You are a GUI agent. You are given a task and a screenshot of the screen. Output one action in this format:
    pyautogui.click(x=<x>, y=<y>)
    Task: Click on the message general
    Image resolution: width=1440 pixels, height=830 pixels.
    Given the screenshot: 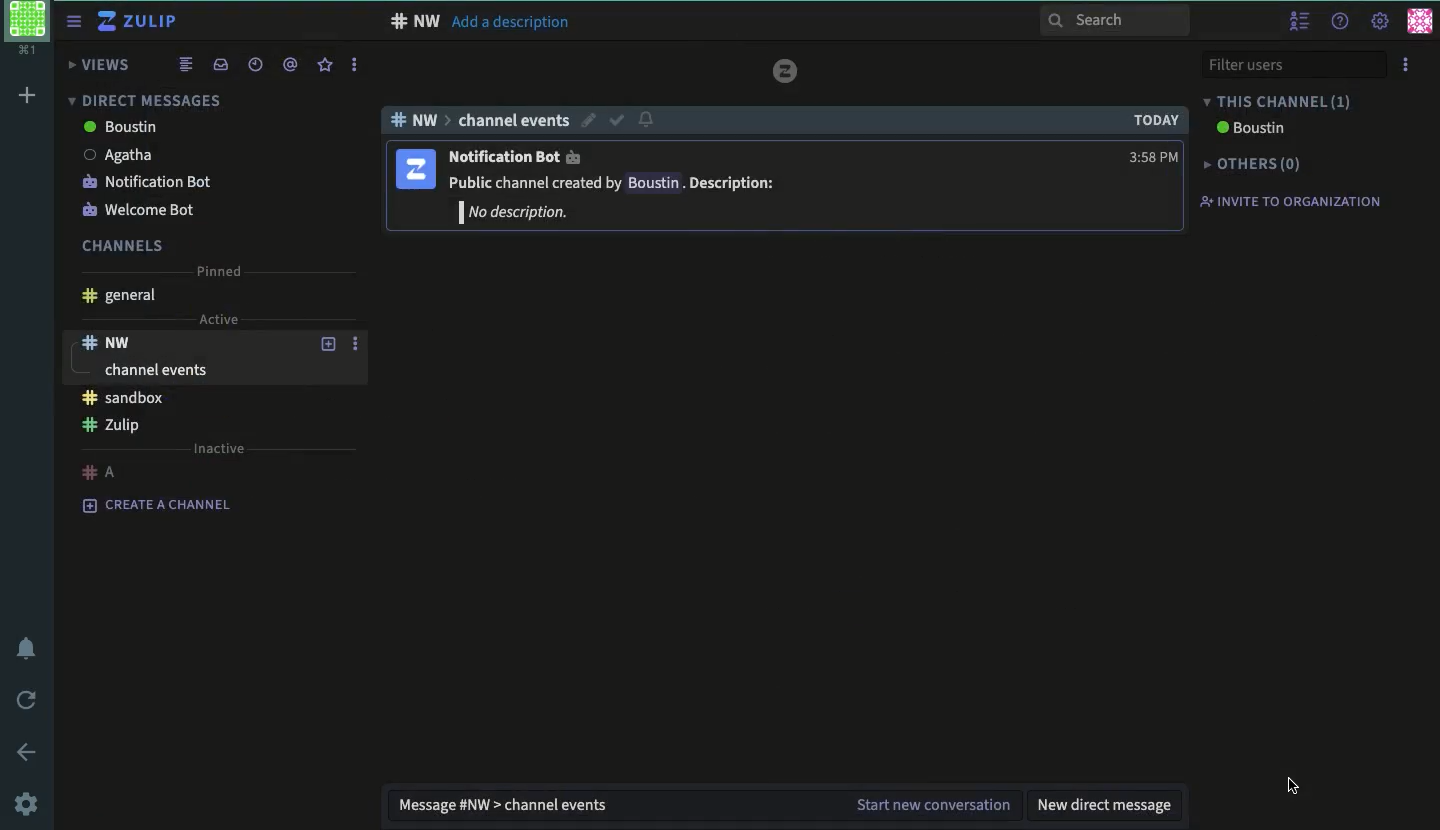 What is the action you would take?
    pyautogui.click(x=497, y=806)
    